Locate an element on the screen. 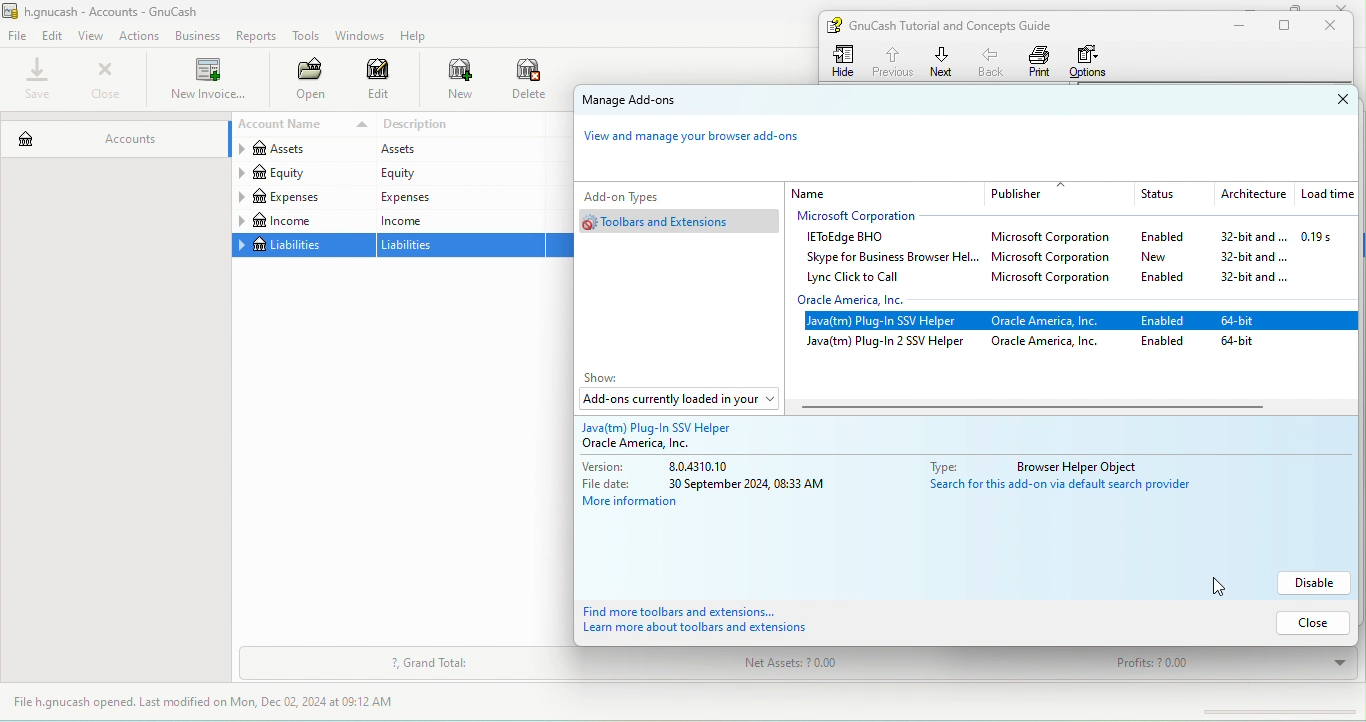 This screenshot has width=1366, height=722. new is located at coordinates (1169, 256).